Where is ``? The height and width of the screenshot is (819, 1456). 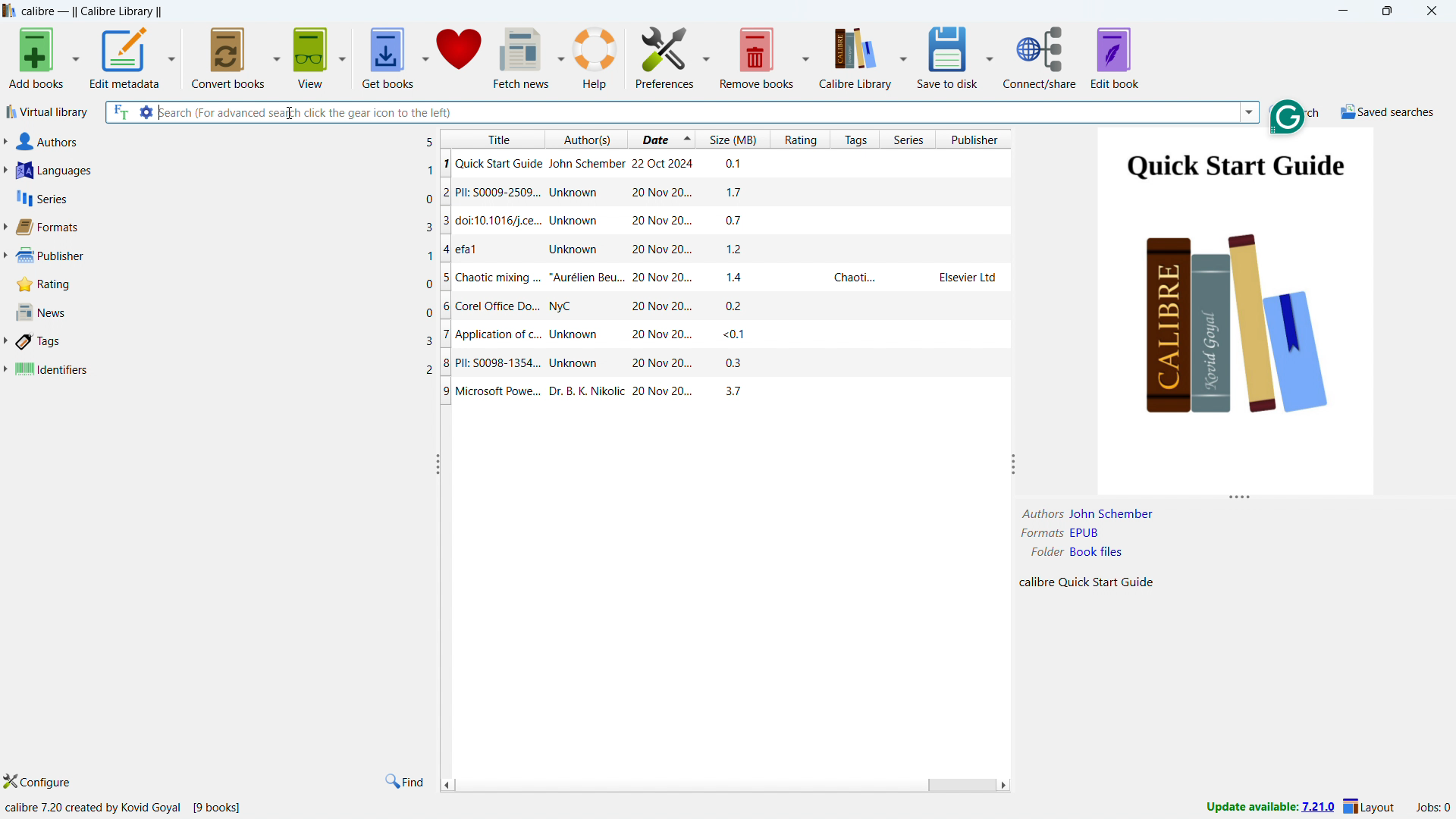  is located at coordinates (460, 56).